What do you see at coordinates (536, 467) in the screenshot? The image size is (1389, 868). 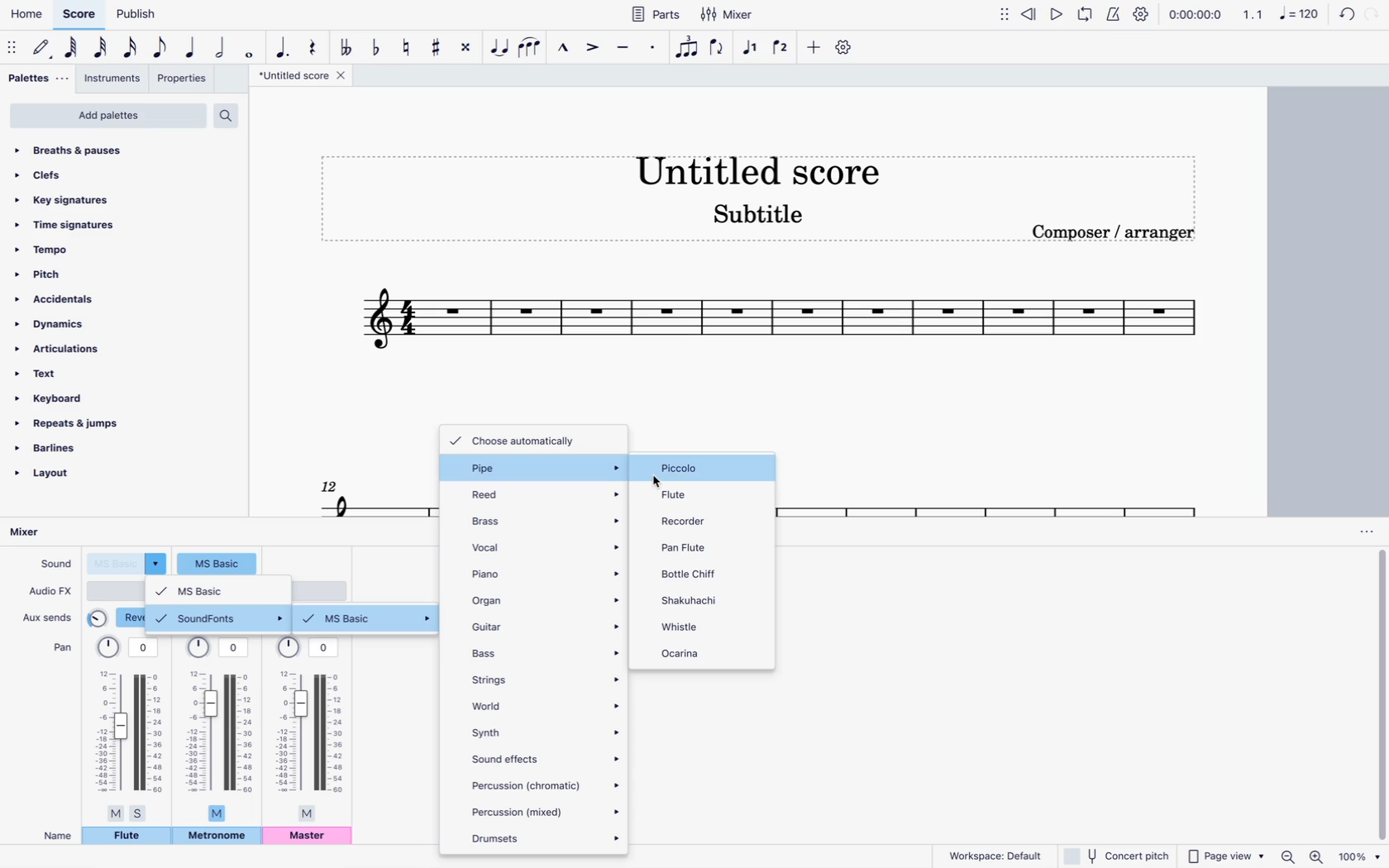 I see `pipe` at bounding box center [536, 467].